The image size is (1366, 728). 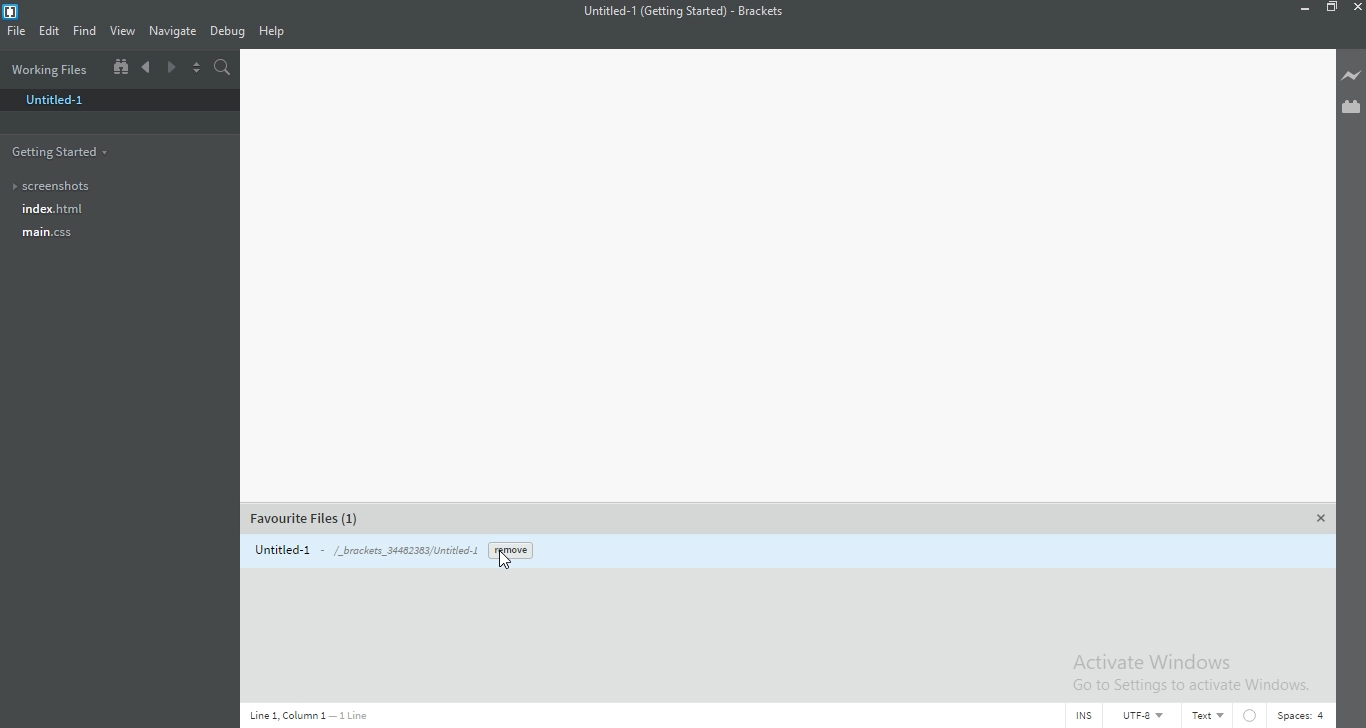 I want to click on Navigate, so click(x=175, y=30).